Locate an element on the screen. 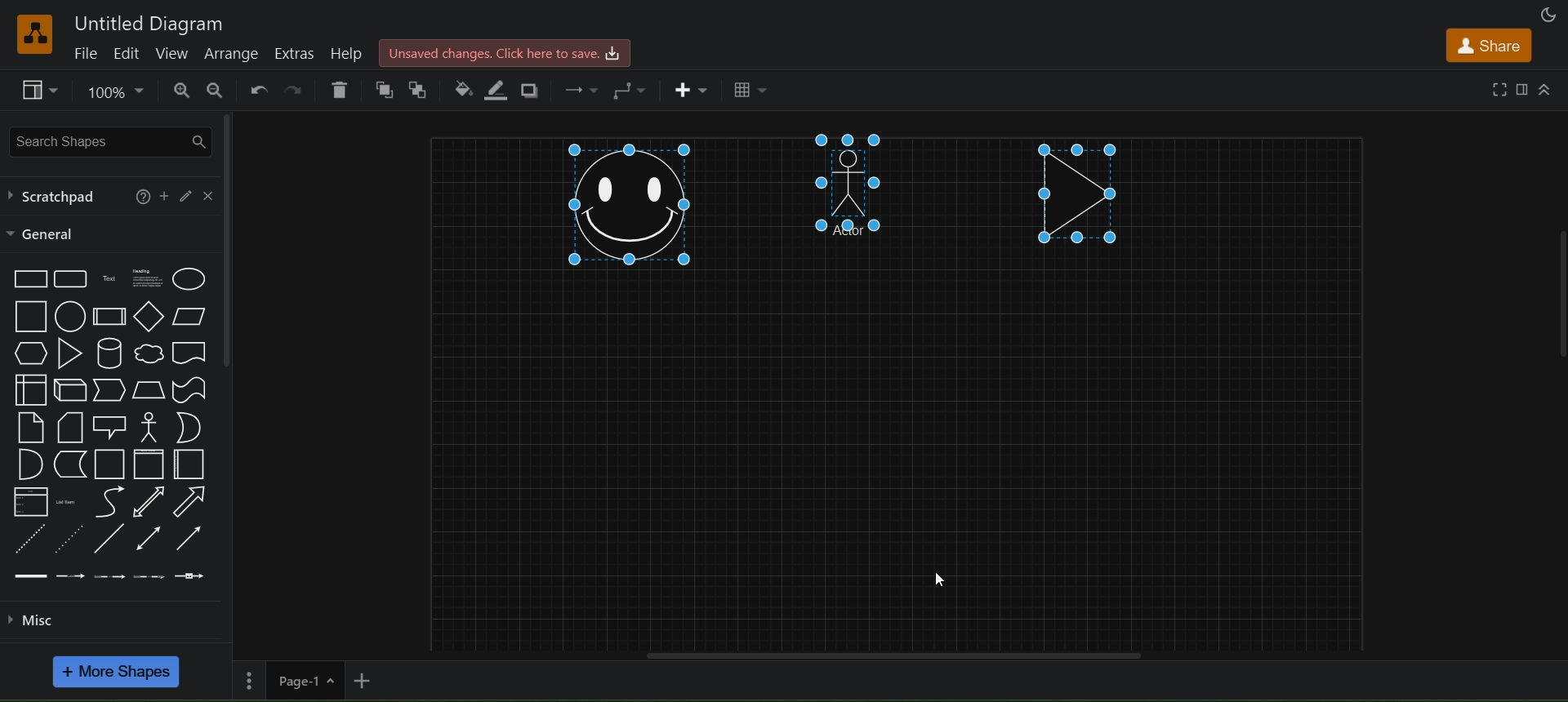 Image resolution: width=1568 pixels, height=702 pixels. vertical container is located at coordinates (149, 464).